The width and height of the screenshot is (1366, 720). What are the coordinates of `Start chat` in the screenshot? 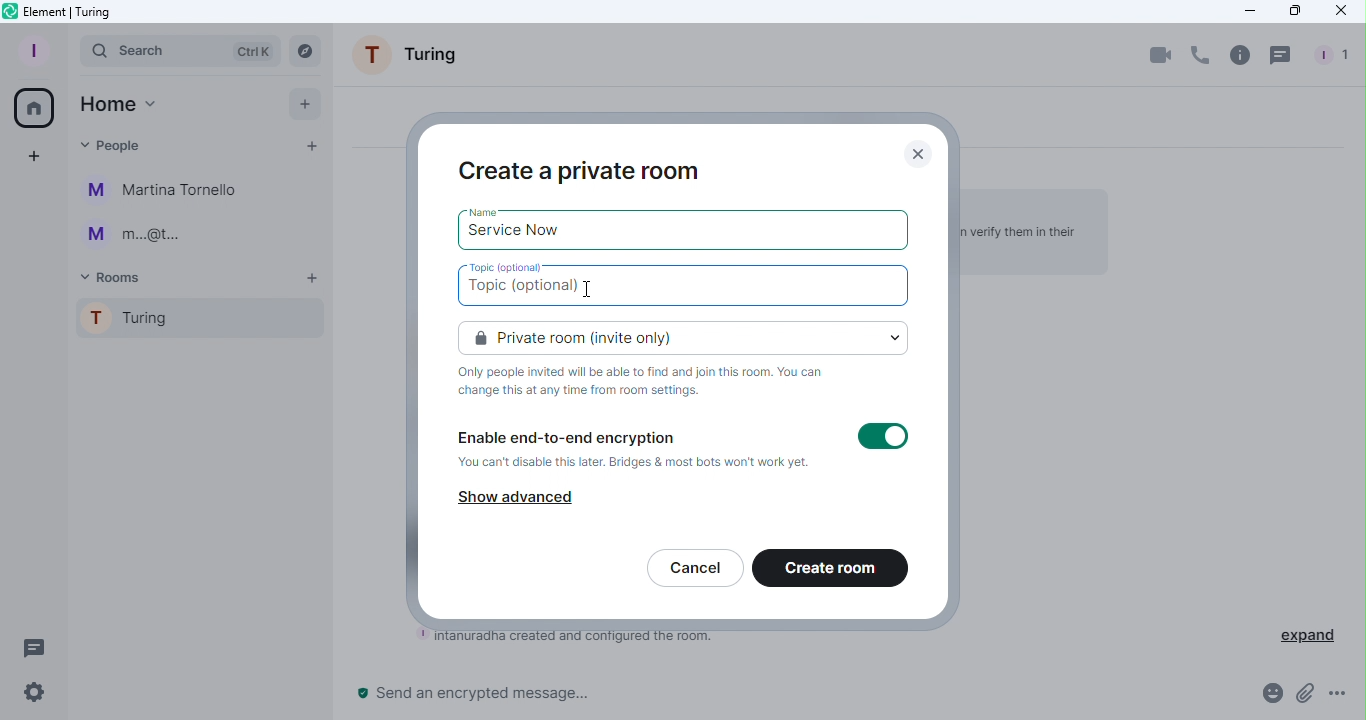 It's located at (310, 149).